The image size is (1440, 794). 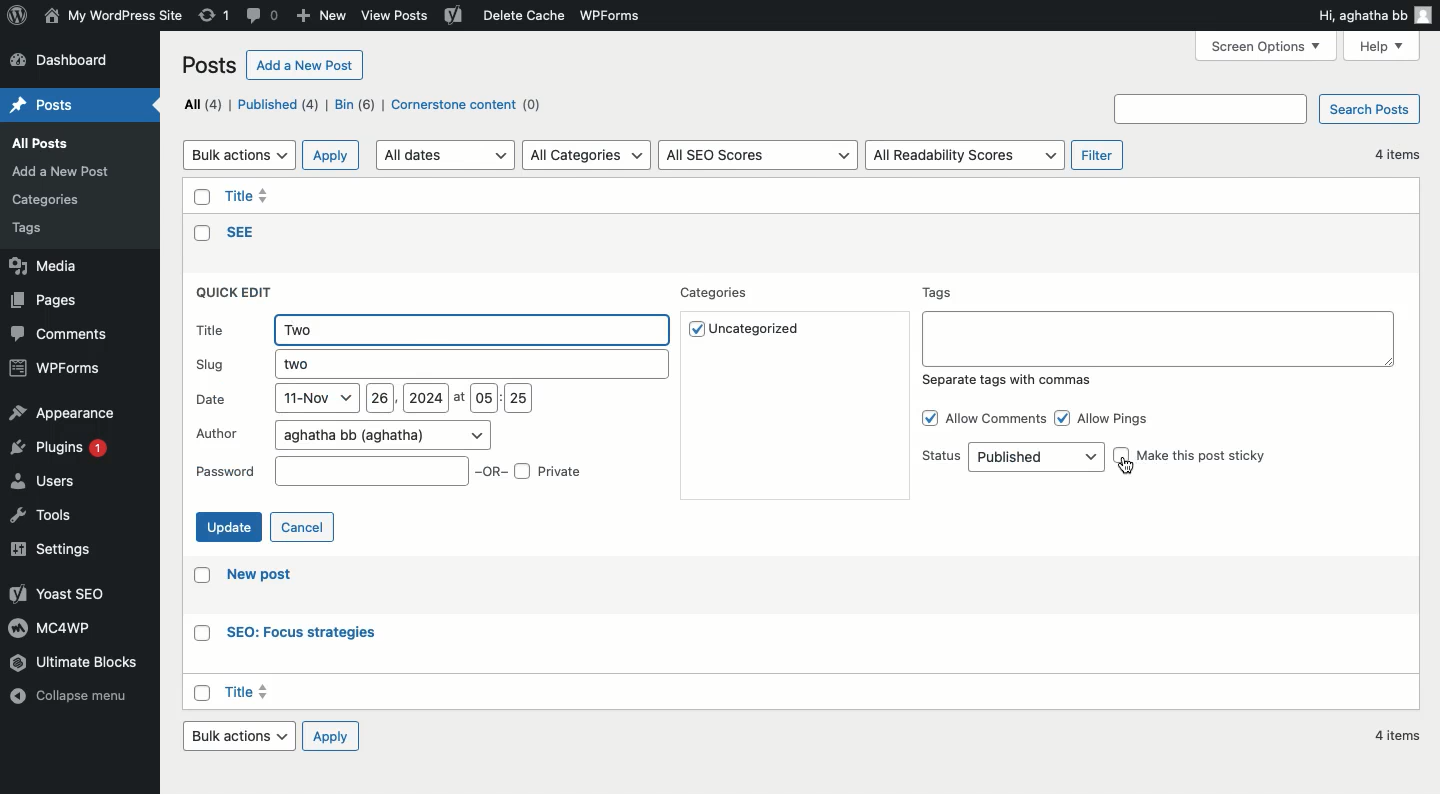 What do you see at coordinates (66, 171) in the screenshot?
I see `Add a new post` at bounding box center [66, 171].